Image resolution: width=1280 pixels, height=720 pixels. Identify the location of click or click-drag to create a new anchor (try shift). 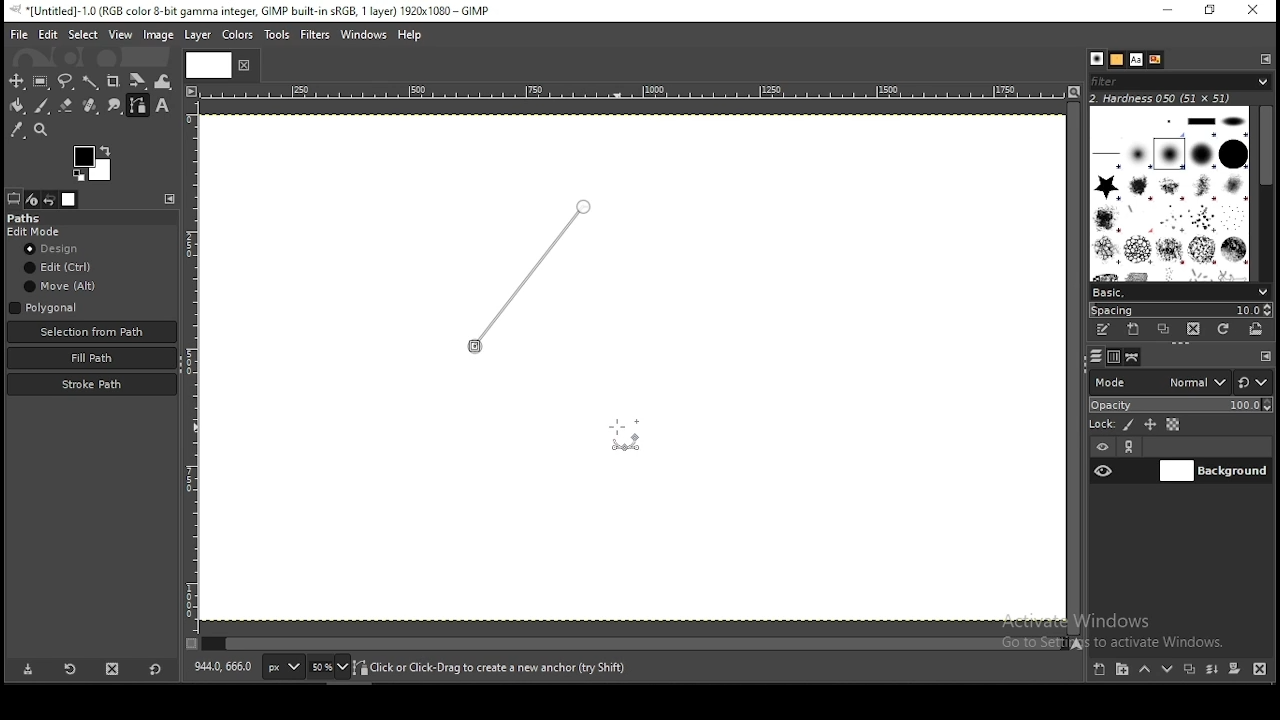
(494, 666).